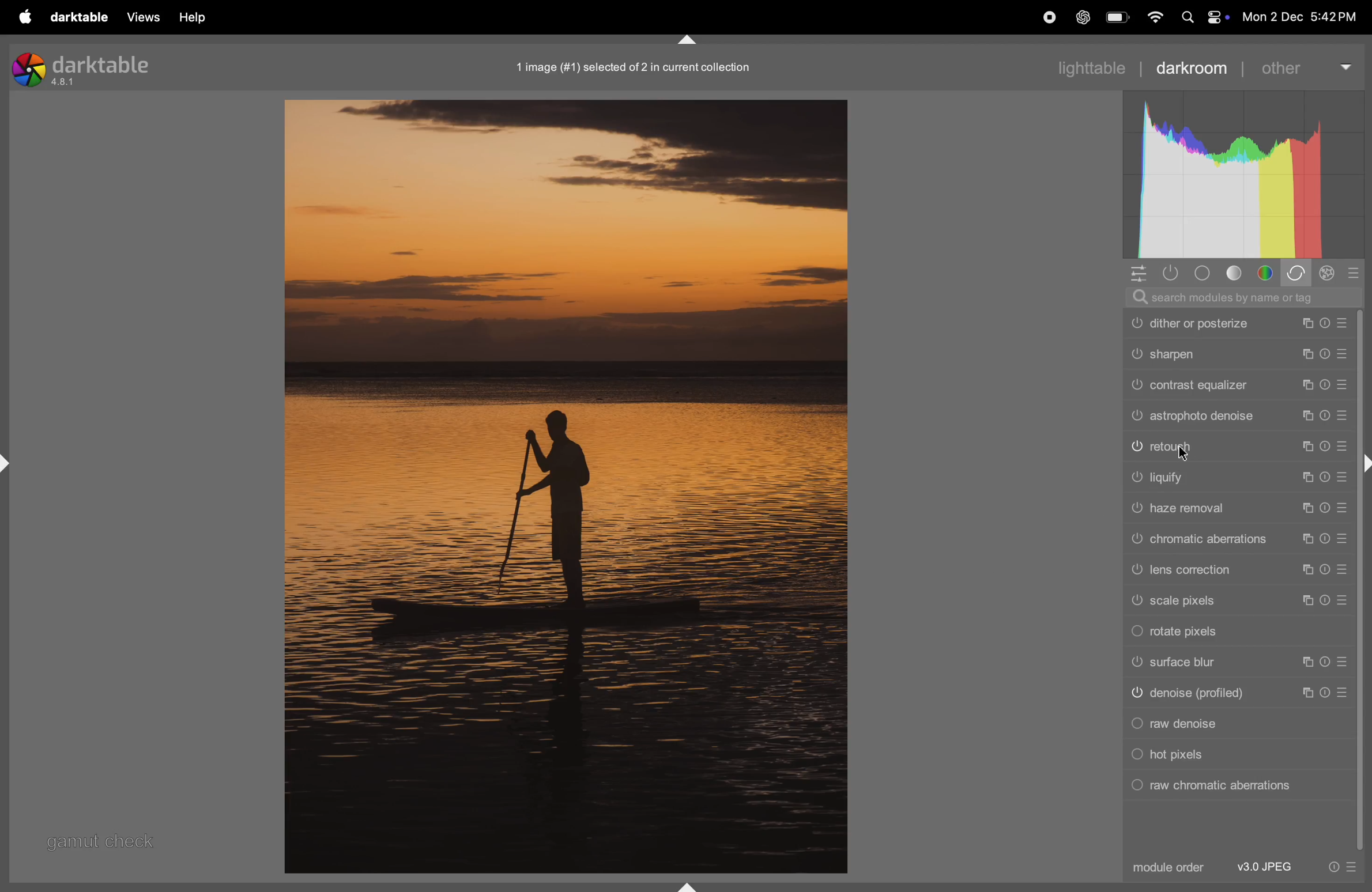 Image resolution: width=1372 pixels, height=892 pixels. I want to click on rotate pixels, so click(1237, 633).